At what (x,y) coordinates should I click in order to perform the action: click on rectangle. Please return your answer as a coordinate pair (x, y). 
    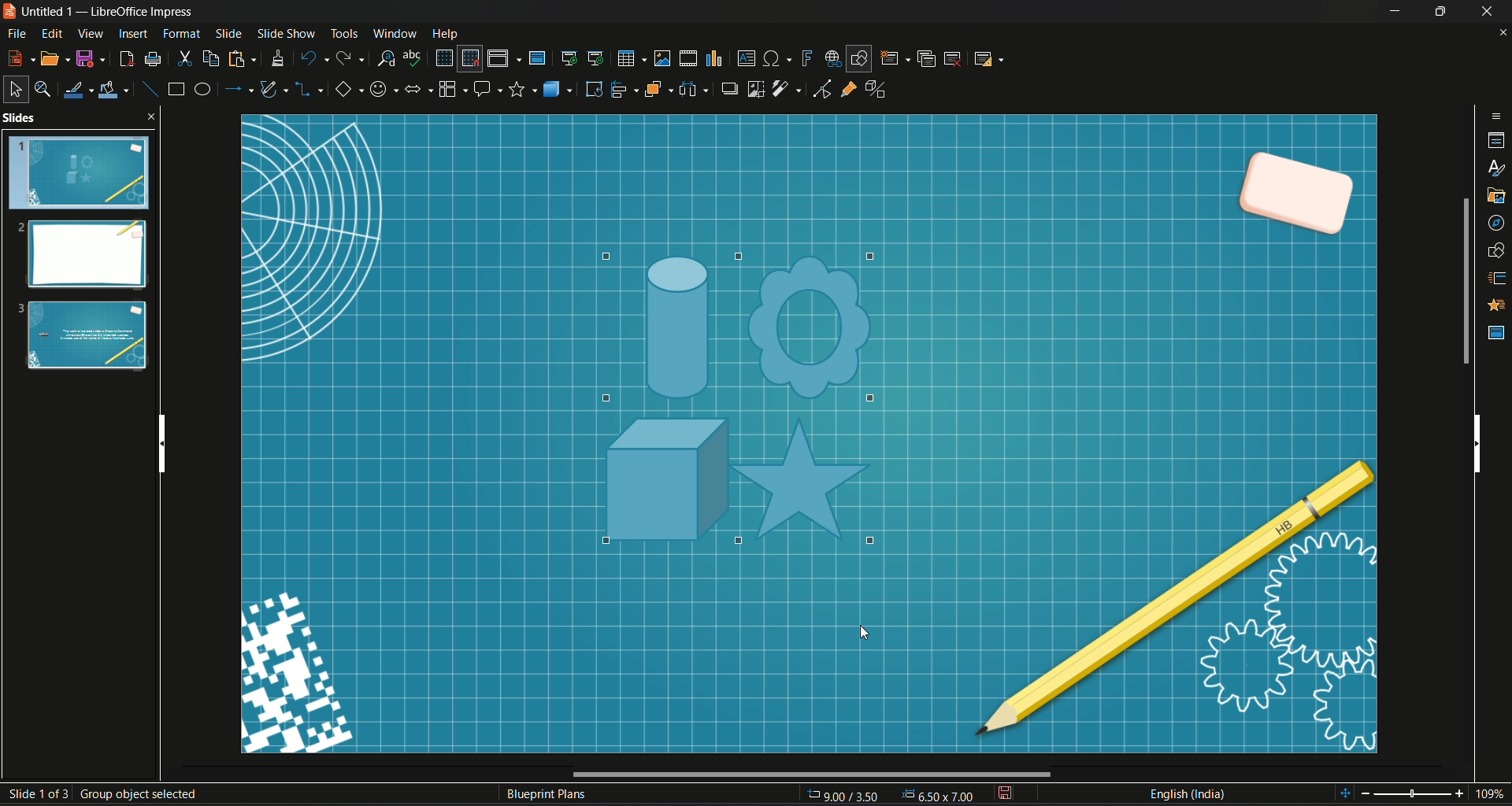
    Looking at the image, I should click on (176, 88).